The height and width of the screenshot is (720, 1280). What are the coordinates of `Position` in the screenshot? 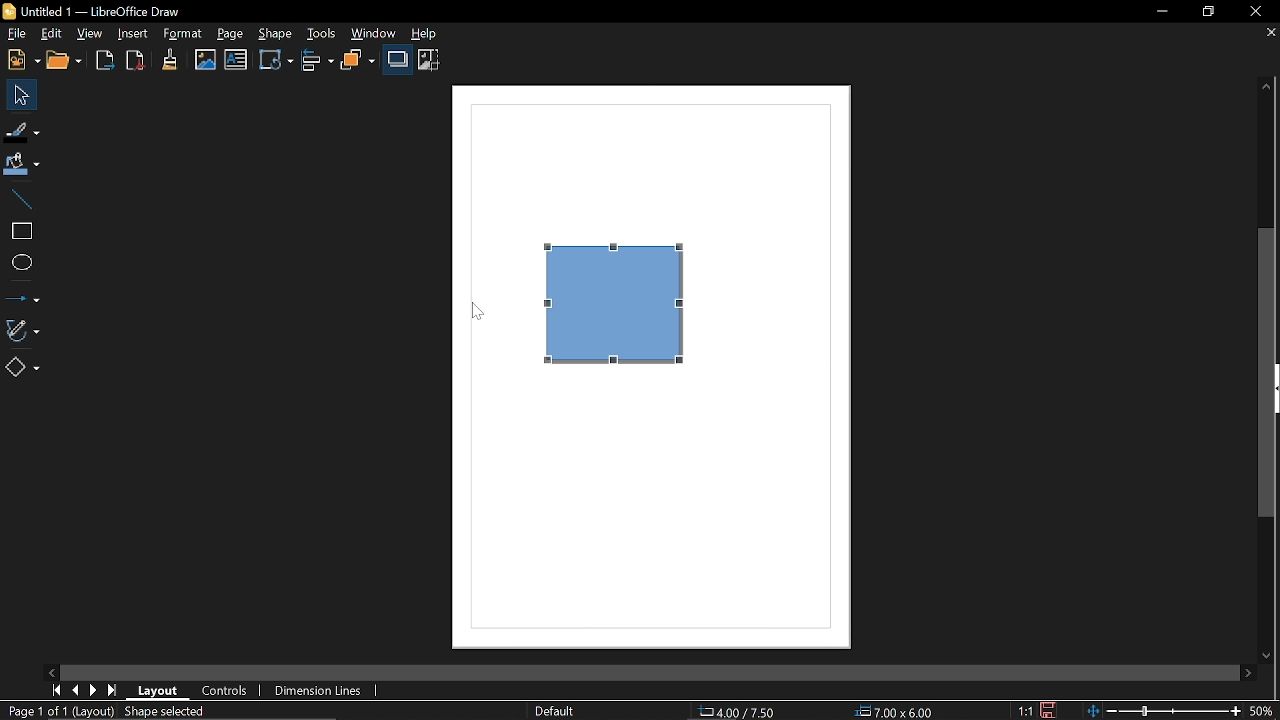 It's located at (740, 712).